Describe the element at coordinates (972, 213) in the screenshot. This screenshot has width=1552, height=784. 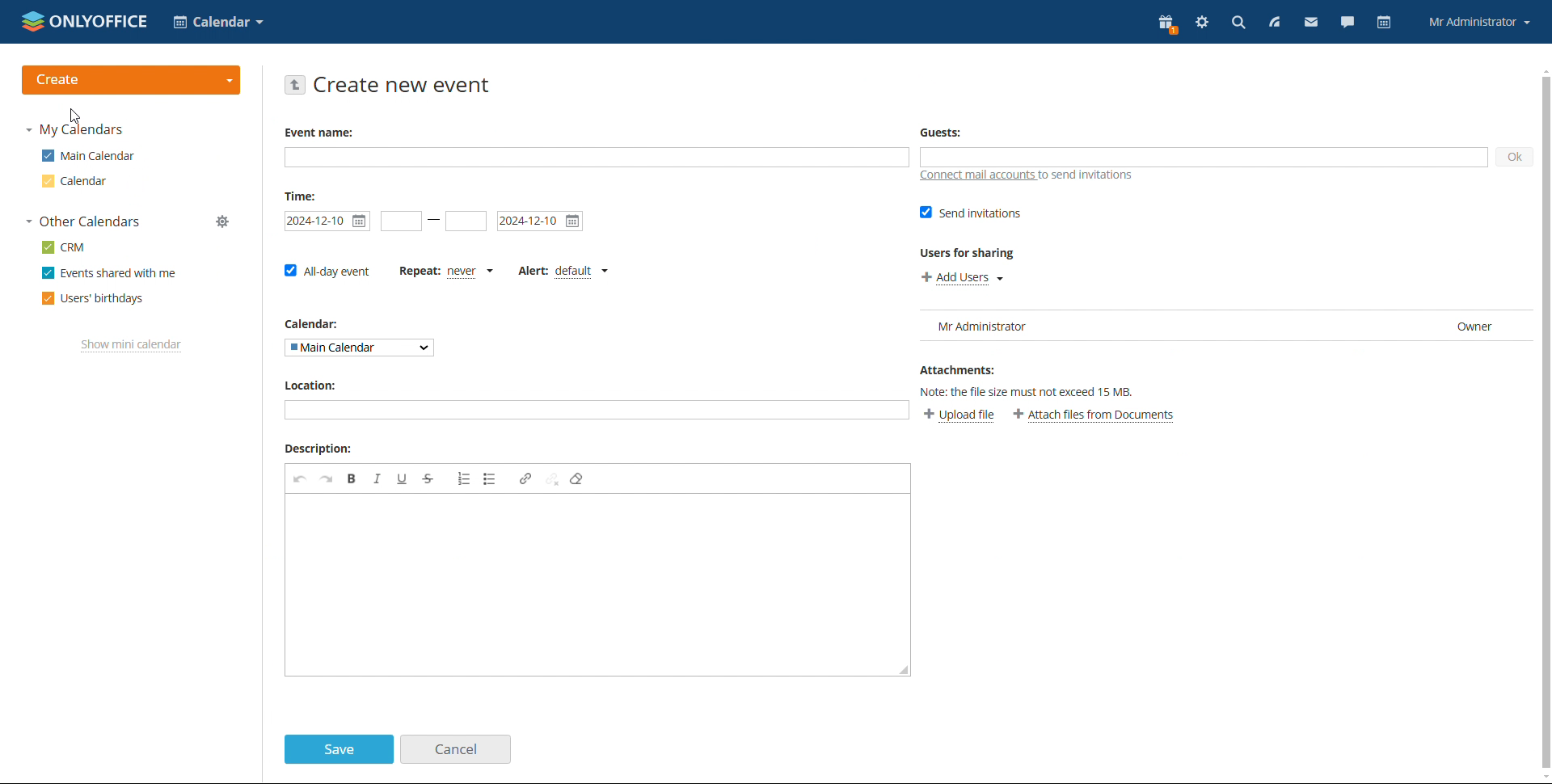
I see `send invitations` at that location.